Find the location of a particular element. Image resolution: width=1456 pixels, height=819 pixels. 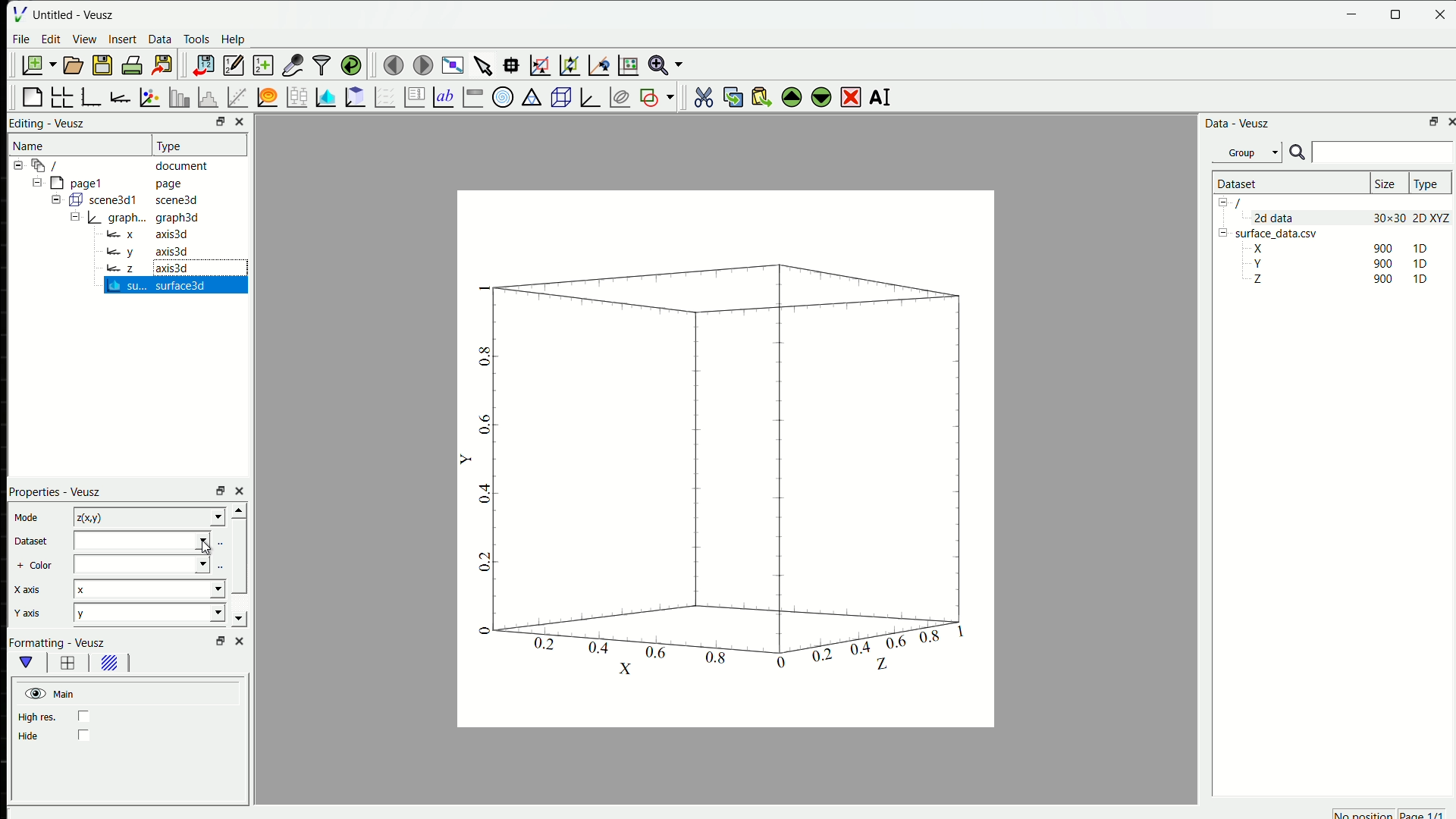

create new data sets is located at coordinates (263, 65).